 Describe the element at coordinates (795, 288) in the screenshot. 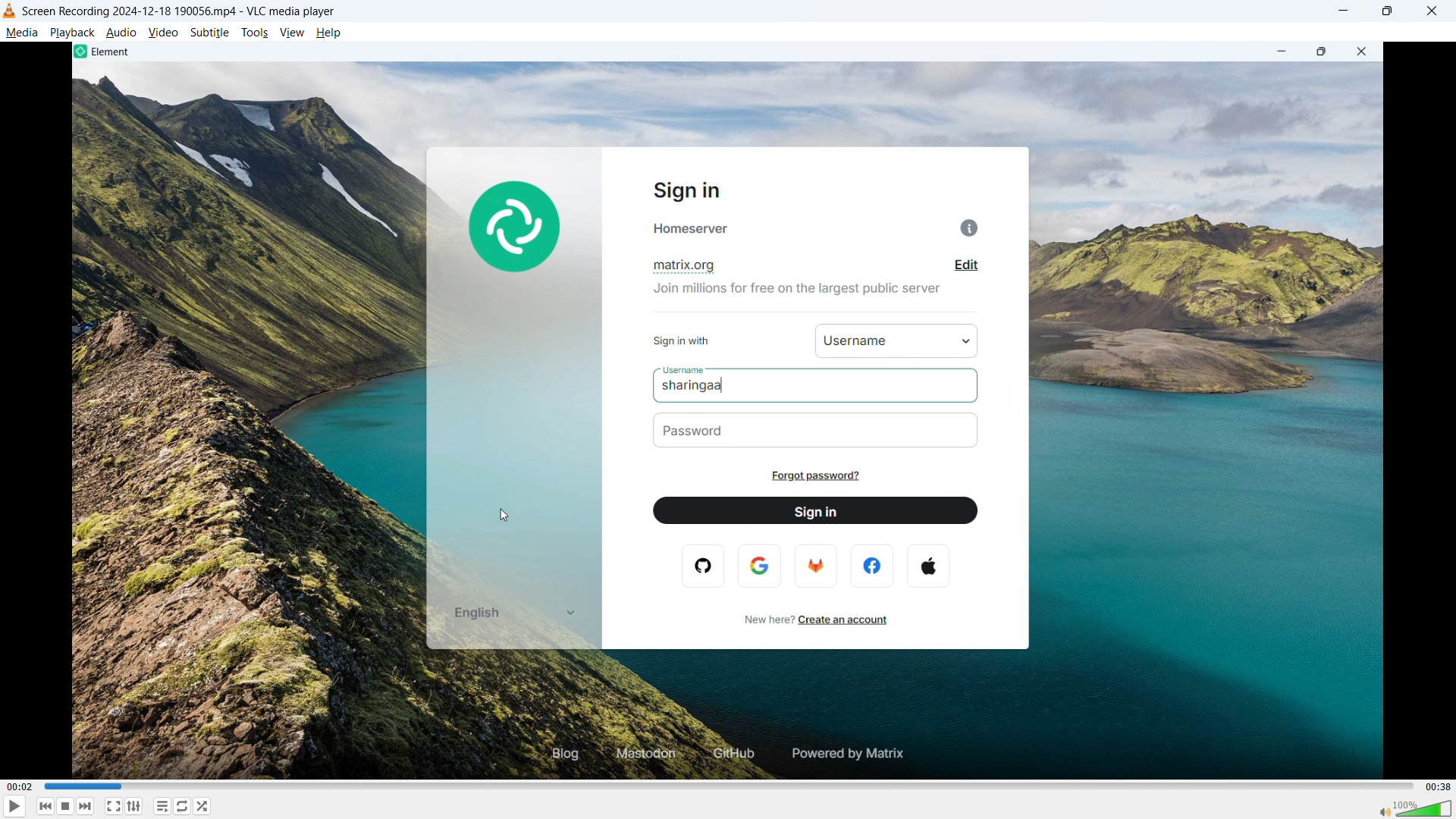

I see `Join millions for free on the largest public server` at that location.